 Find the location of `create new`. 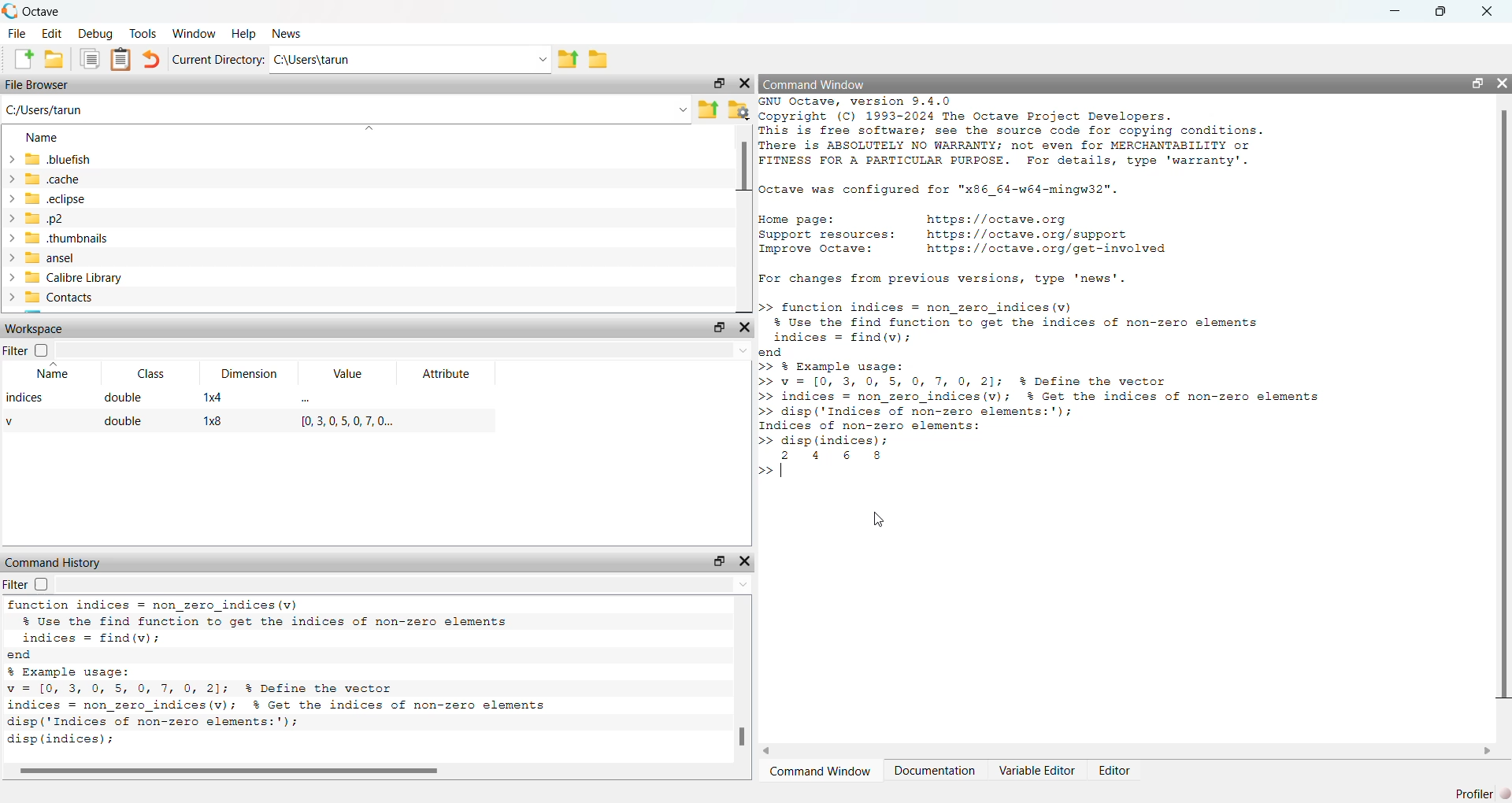

create new is located at coordinates (20, 61).